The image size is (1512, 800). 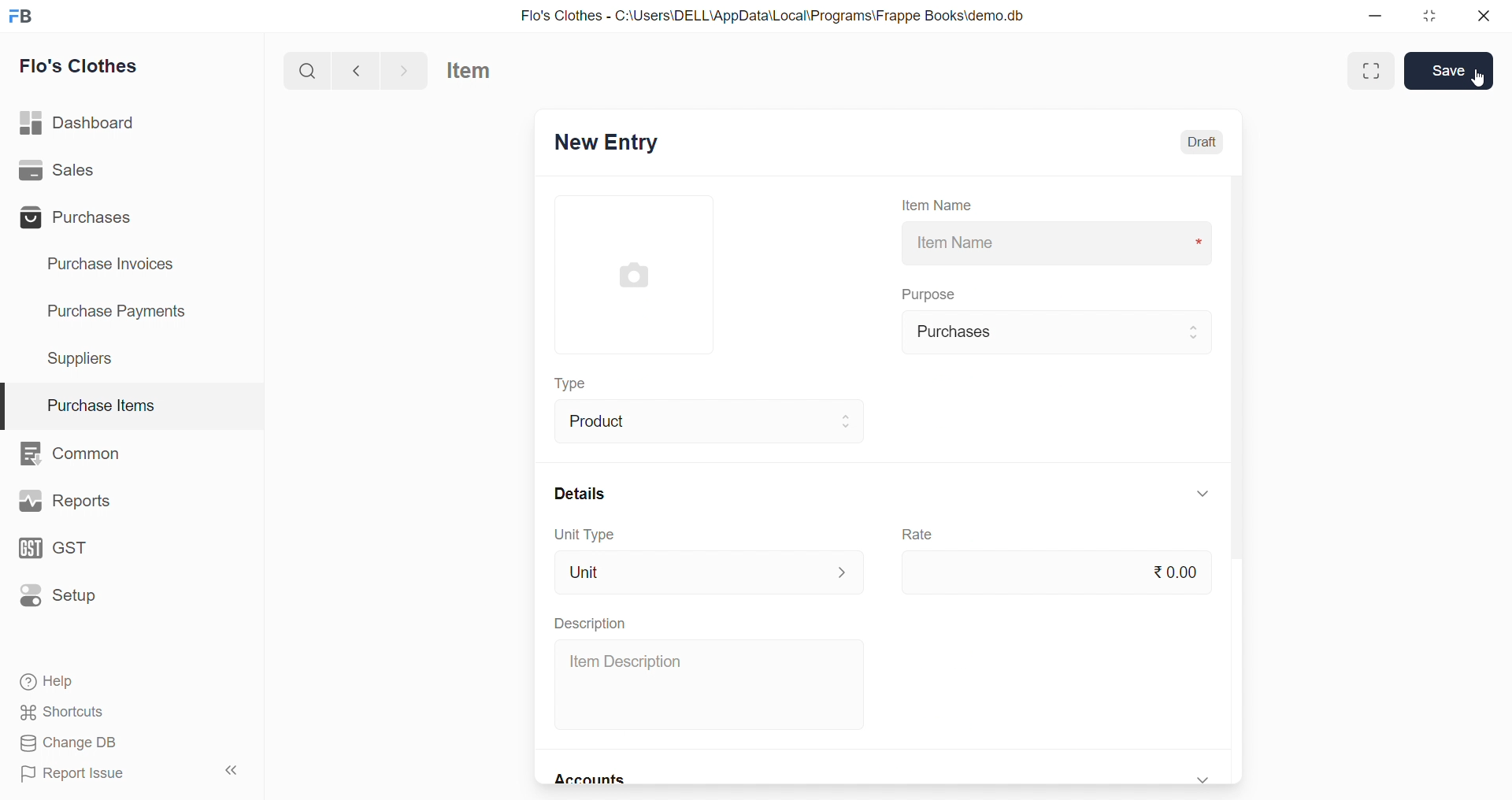 What do you see at coordinates (1243, 480) in the screenshot?
I see `scroll bar` at bounding box center [1243, 480].